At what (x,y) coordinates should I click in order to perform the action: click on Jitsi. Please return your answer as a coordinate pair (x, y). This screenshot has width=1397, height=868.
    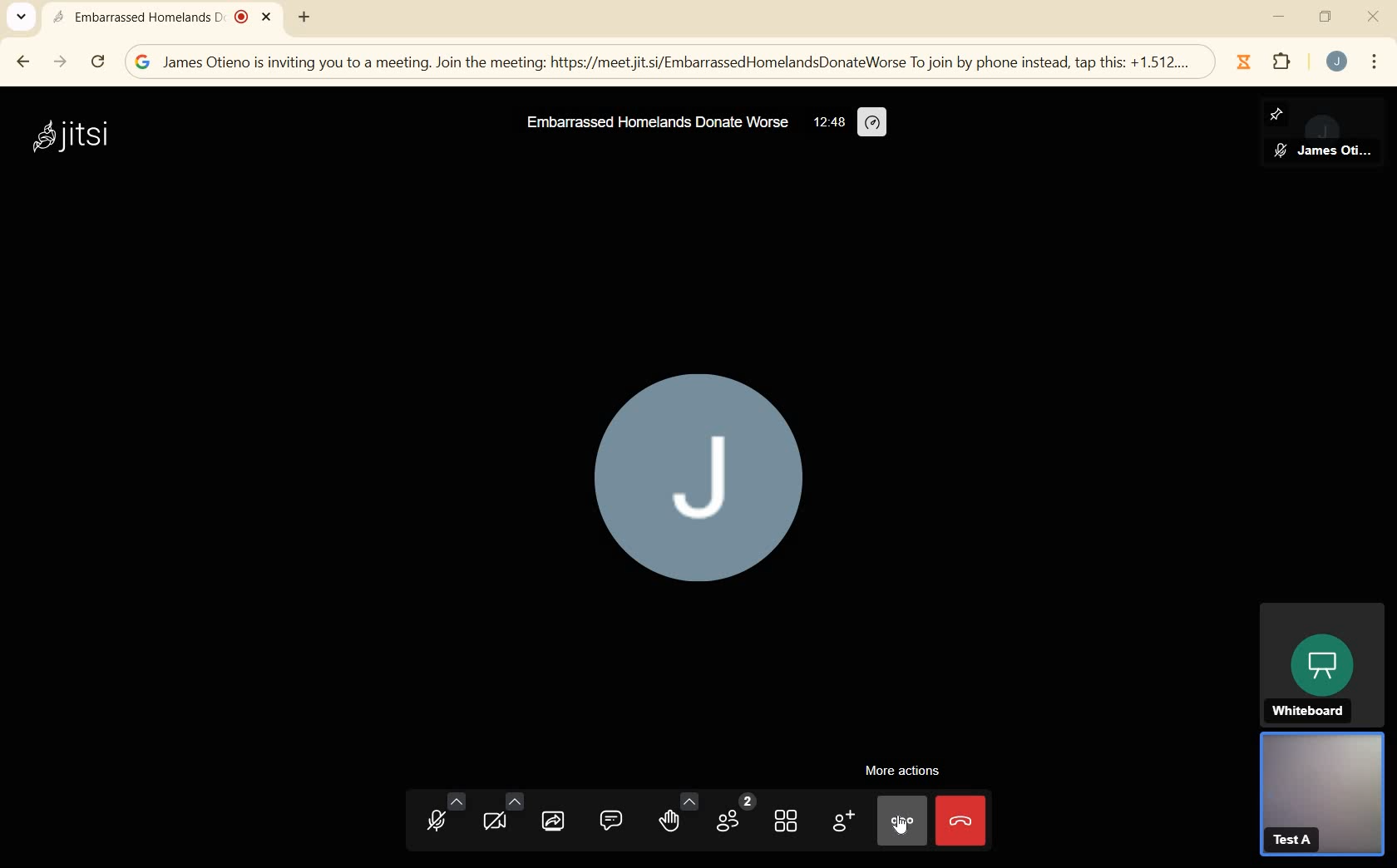
    Looking at the image, I should click on (77, 136).